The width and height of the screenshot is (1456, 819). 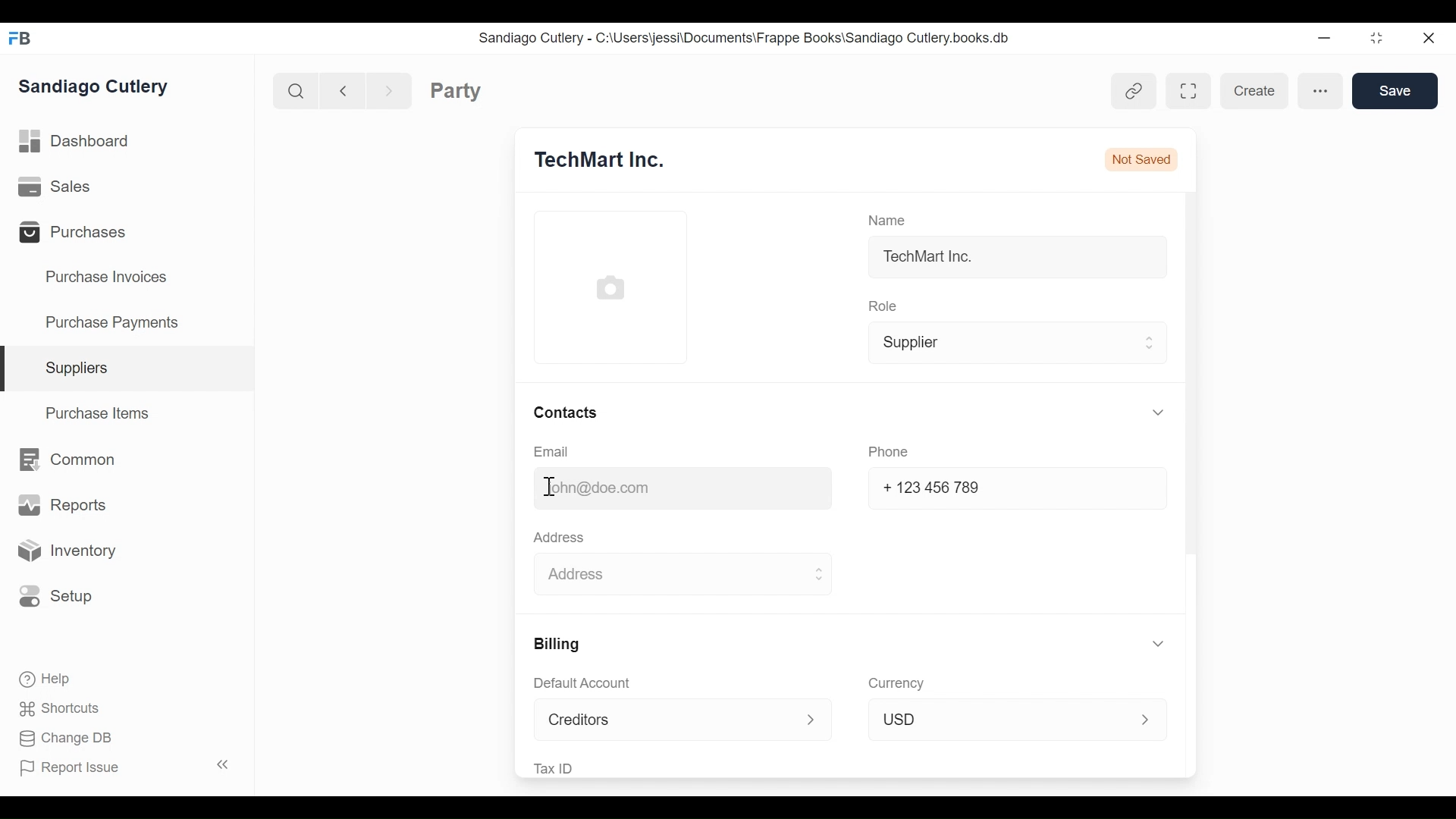 I want to click on [FP Report Issue, so click(x=74, y=772).